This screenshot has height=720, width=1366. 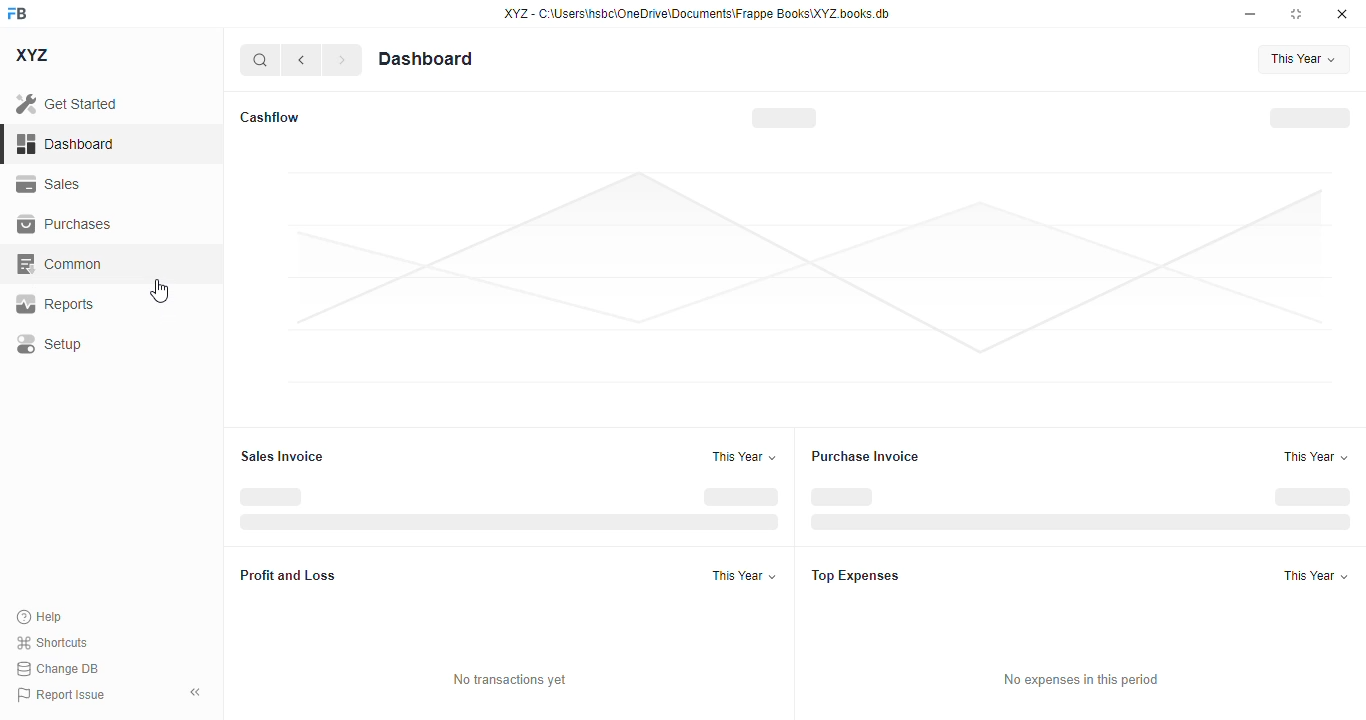 I want to click on this year, so click(x=1317, y=575).